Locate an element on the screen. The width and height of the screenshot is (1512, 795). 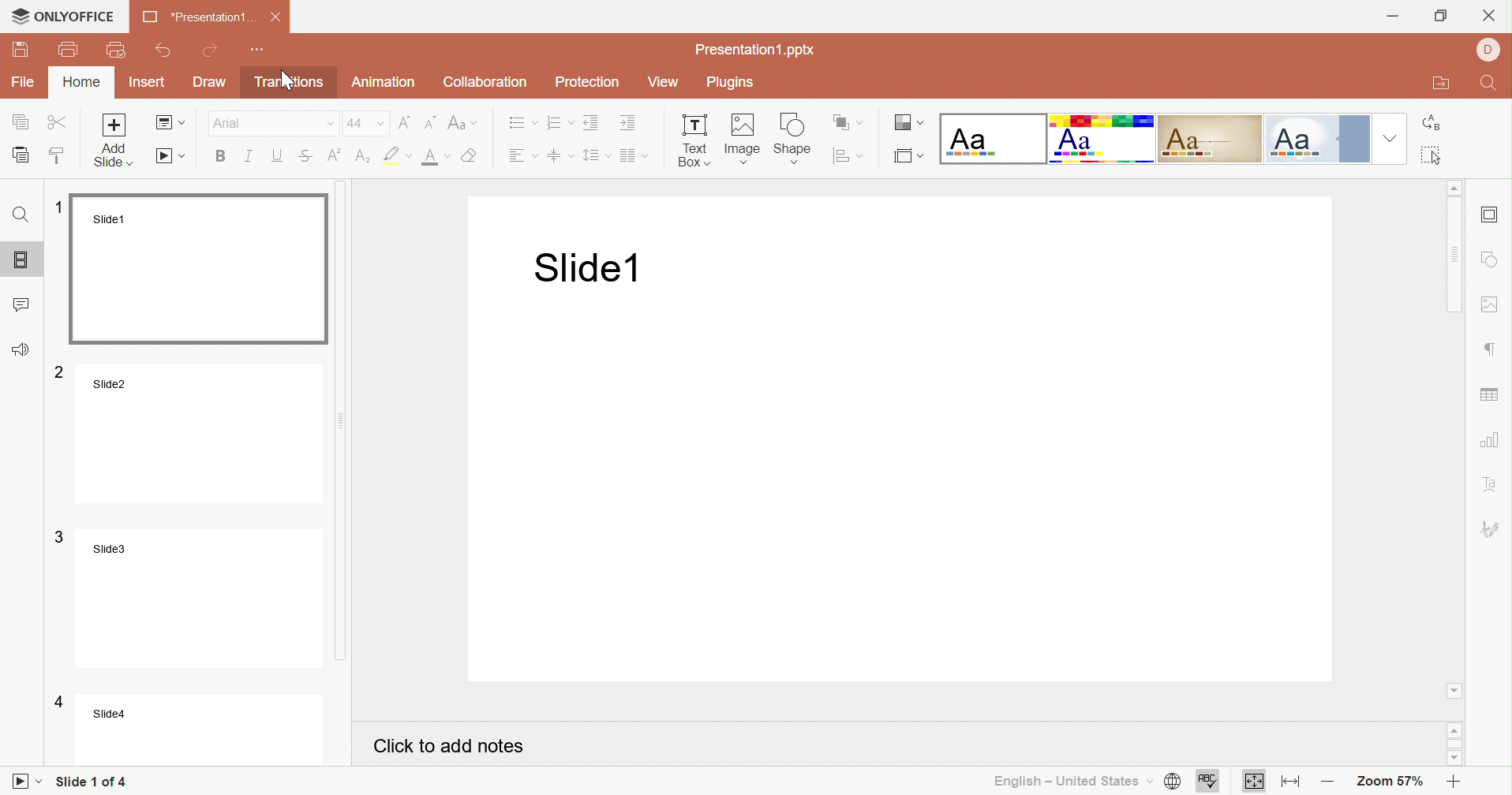
Decrement font size is located at coordinates (430, 123).